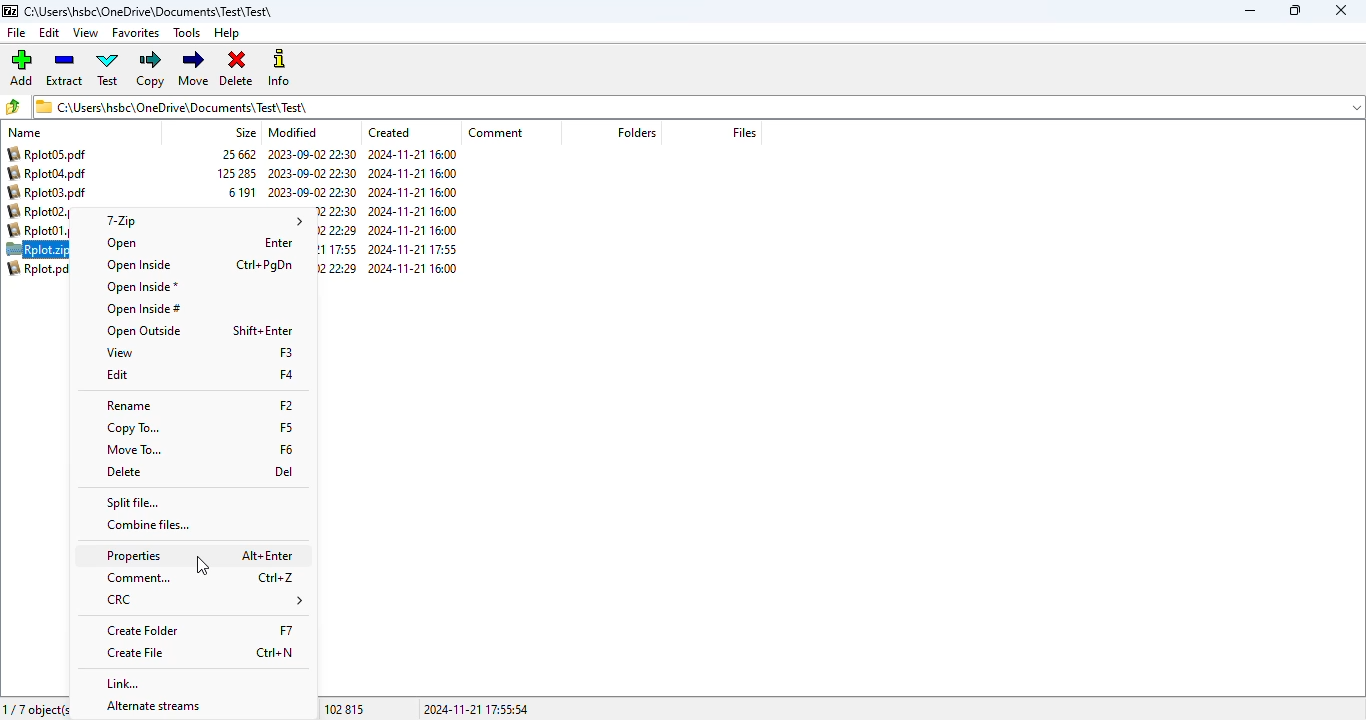  Describe the element at coordinates (120, 352) in the screenshot. I see `view` at that location.